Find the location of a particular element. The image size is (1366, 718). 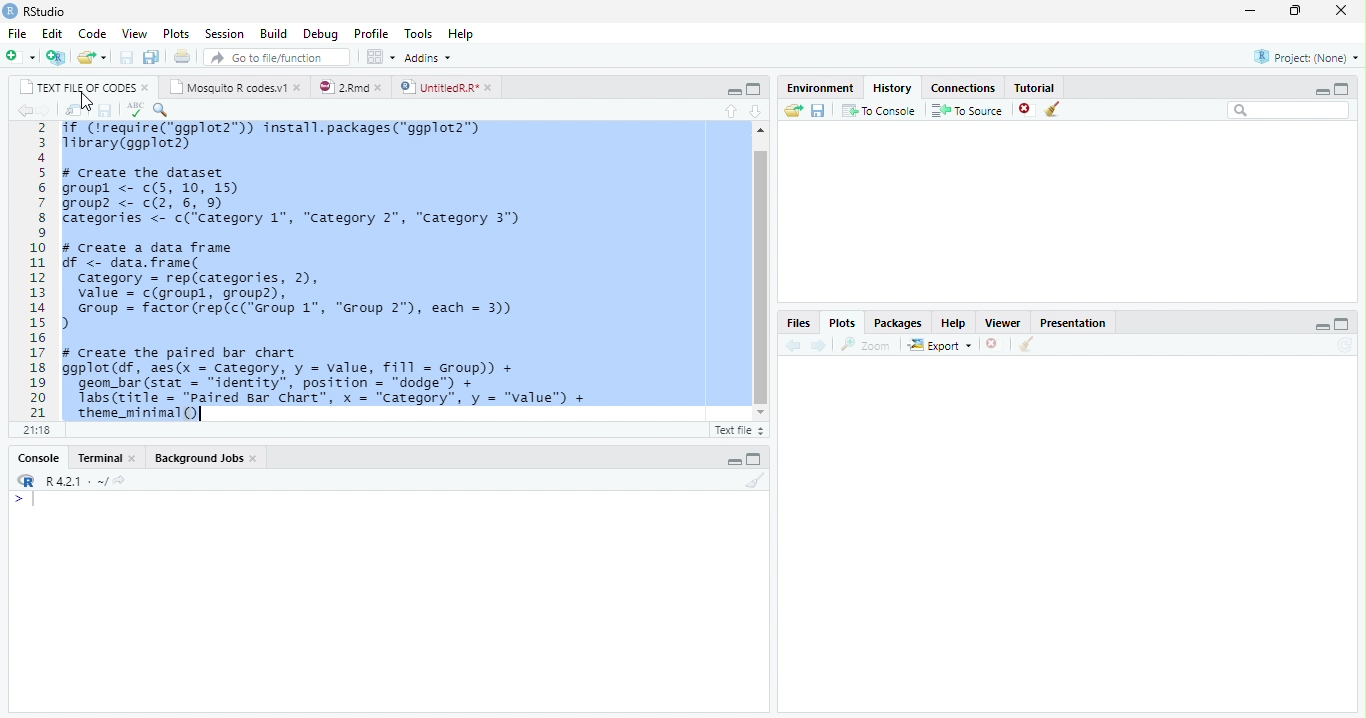

scroll bar is located at coordinates (761, 277).